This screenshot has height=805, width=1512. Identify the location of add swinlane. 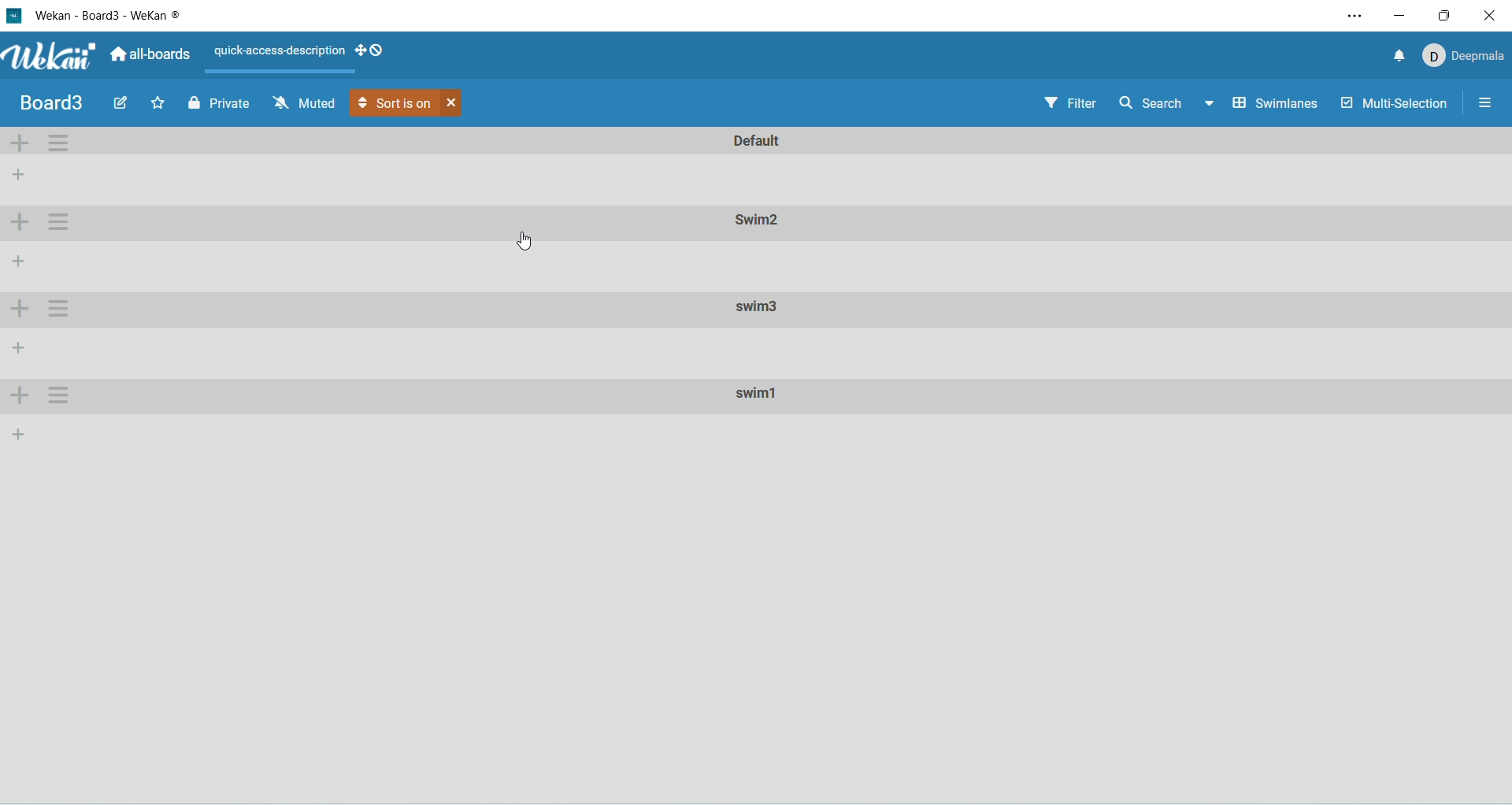
(16, 310).